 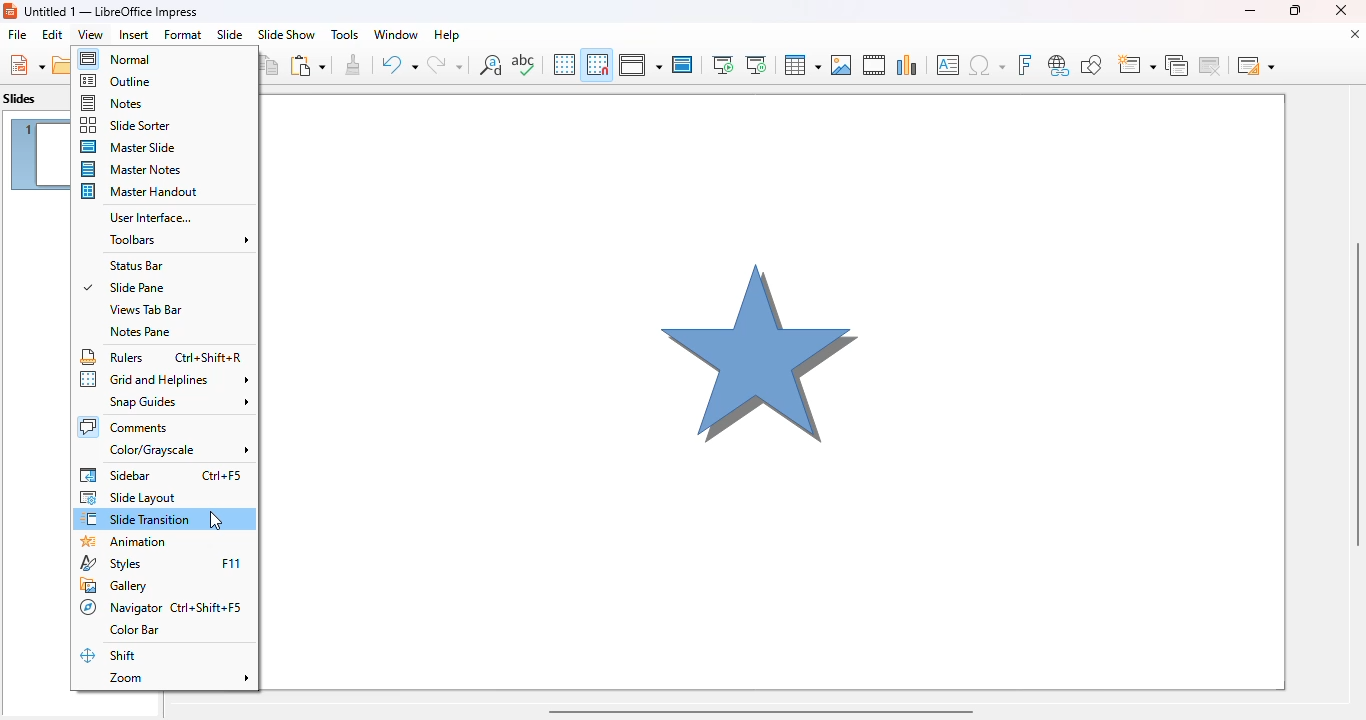 I want to click on new, so click(x=25, y=64).